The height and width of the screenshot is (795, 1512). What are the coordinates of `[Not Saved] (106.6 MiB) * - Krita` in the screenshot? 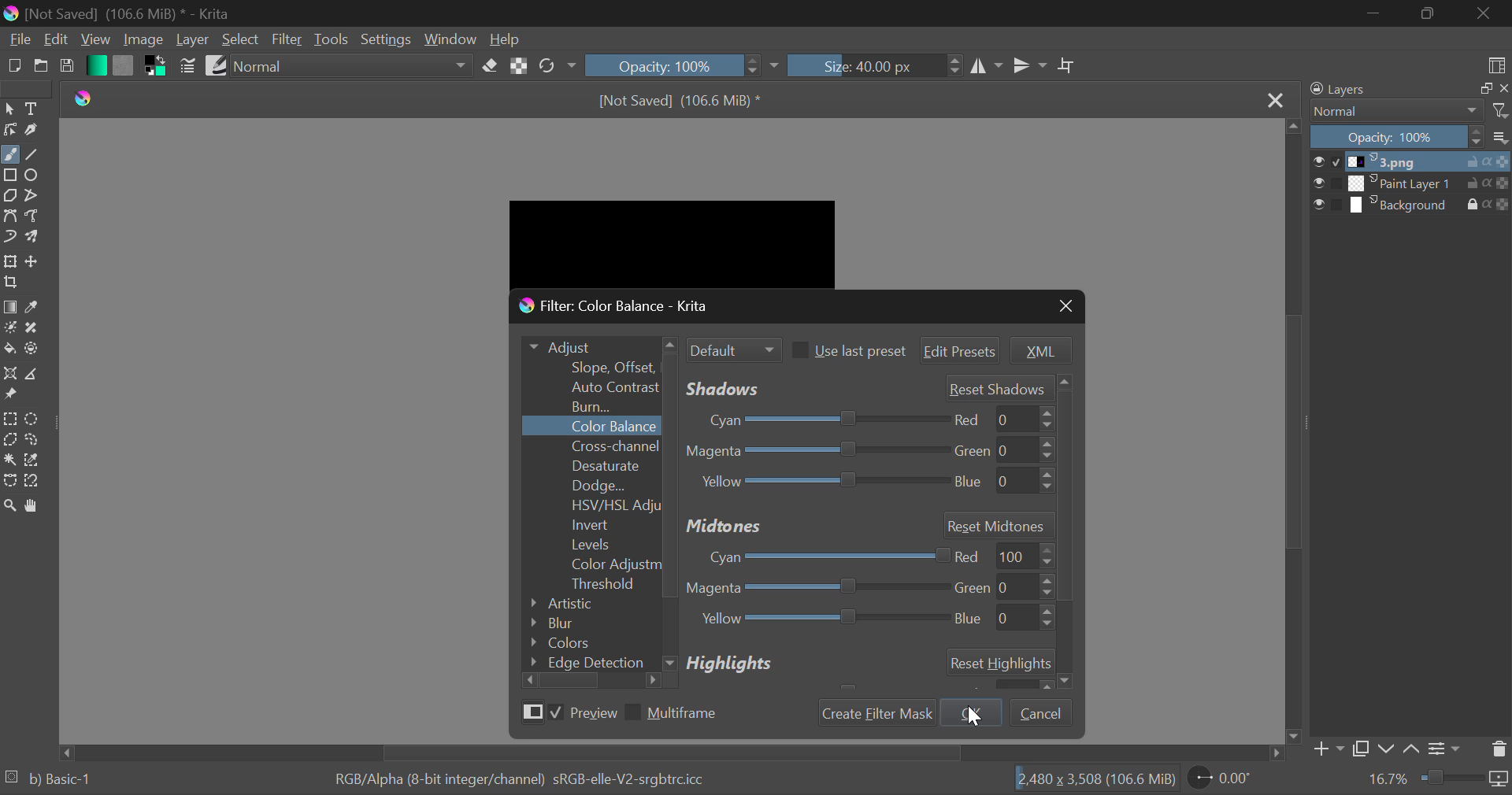 It's located at (135, 11).